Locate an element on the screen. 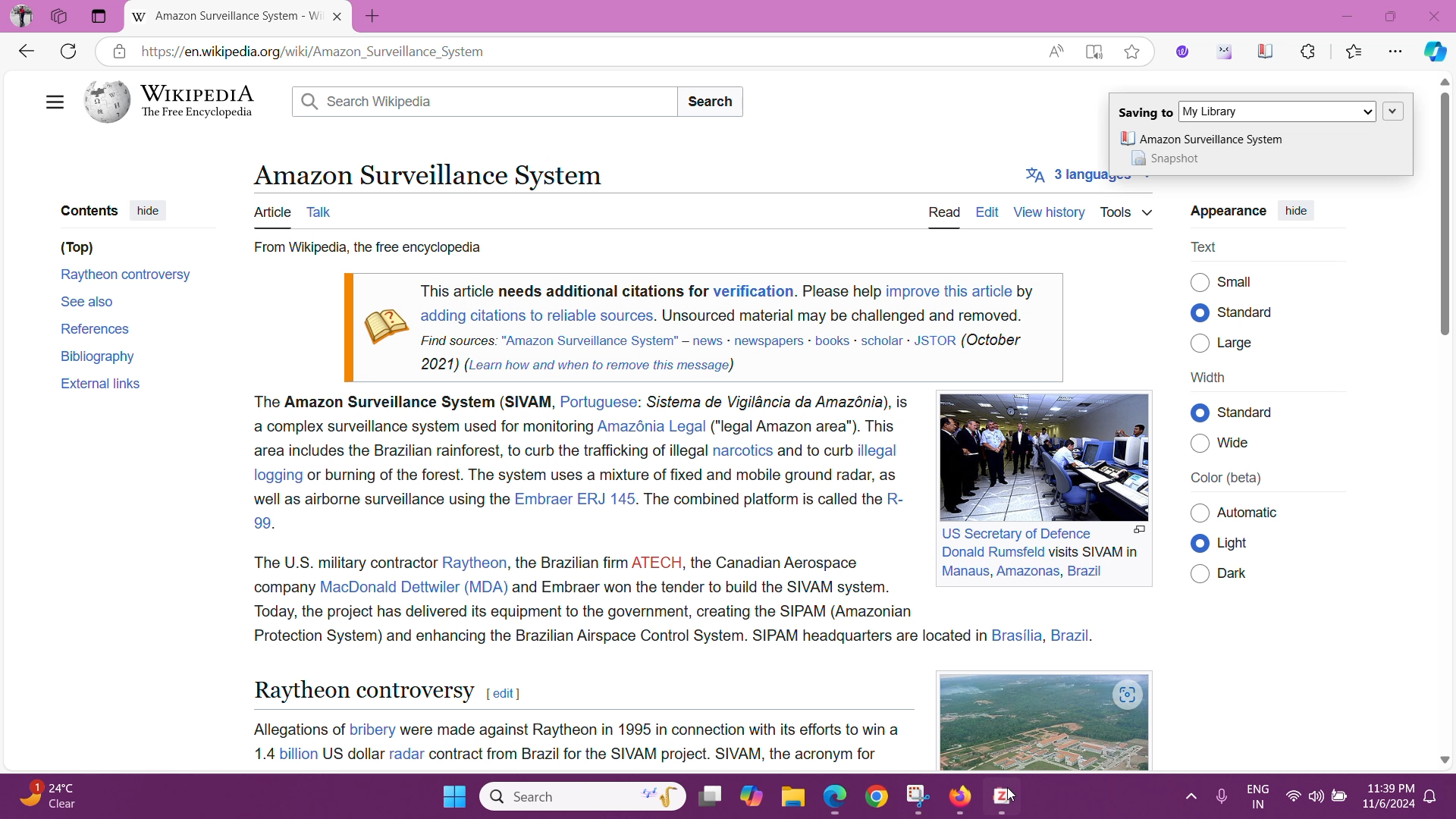  Brazil is located at coordinates (1084, 571).